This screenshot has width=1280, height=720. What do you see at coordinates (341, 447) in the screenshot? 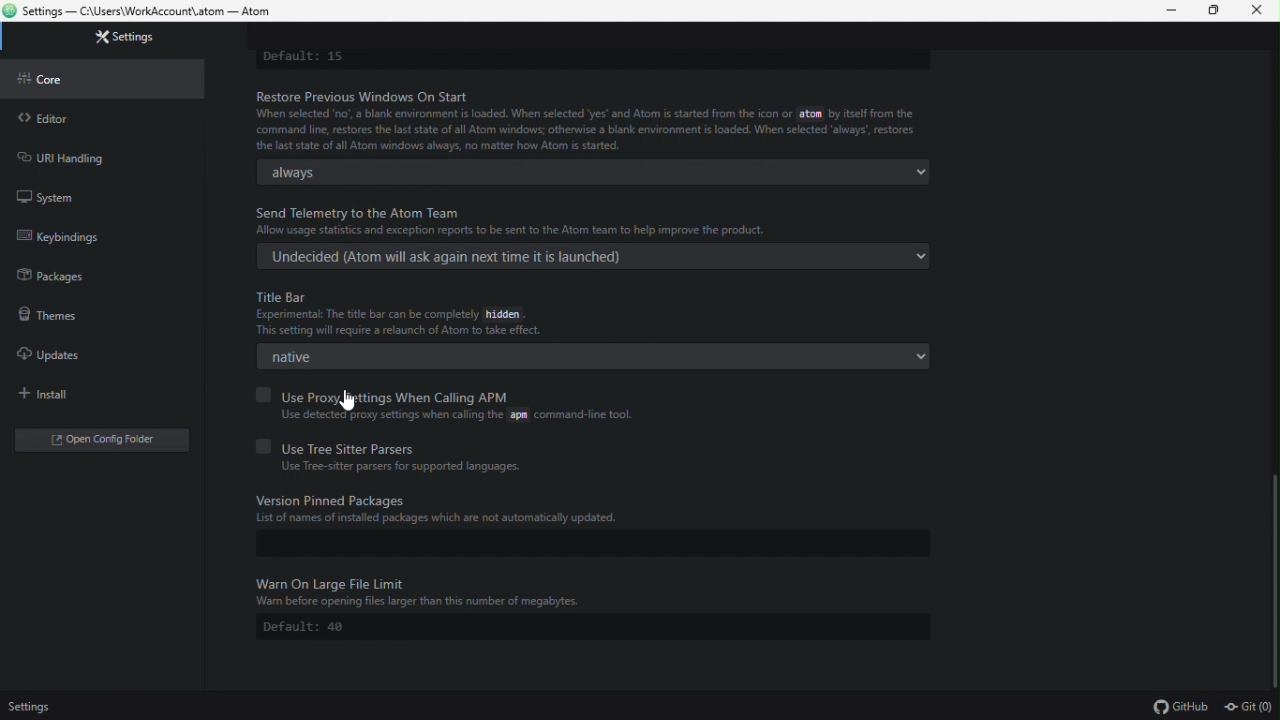
I see `Use Tree Sitter Parsers` at bounding box center [341, 447].